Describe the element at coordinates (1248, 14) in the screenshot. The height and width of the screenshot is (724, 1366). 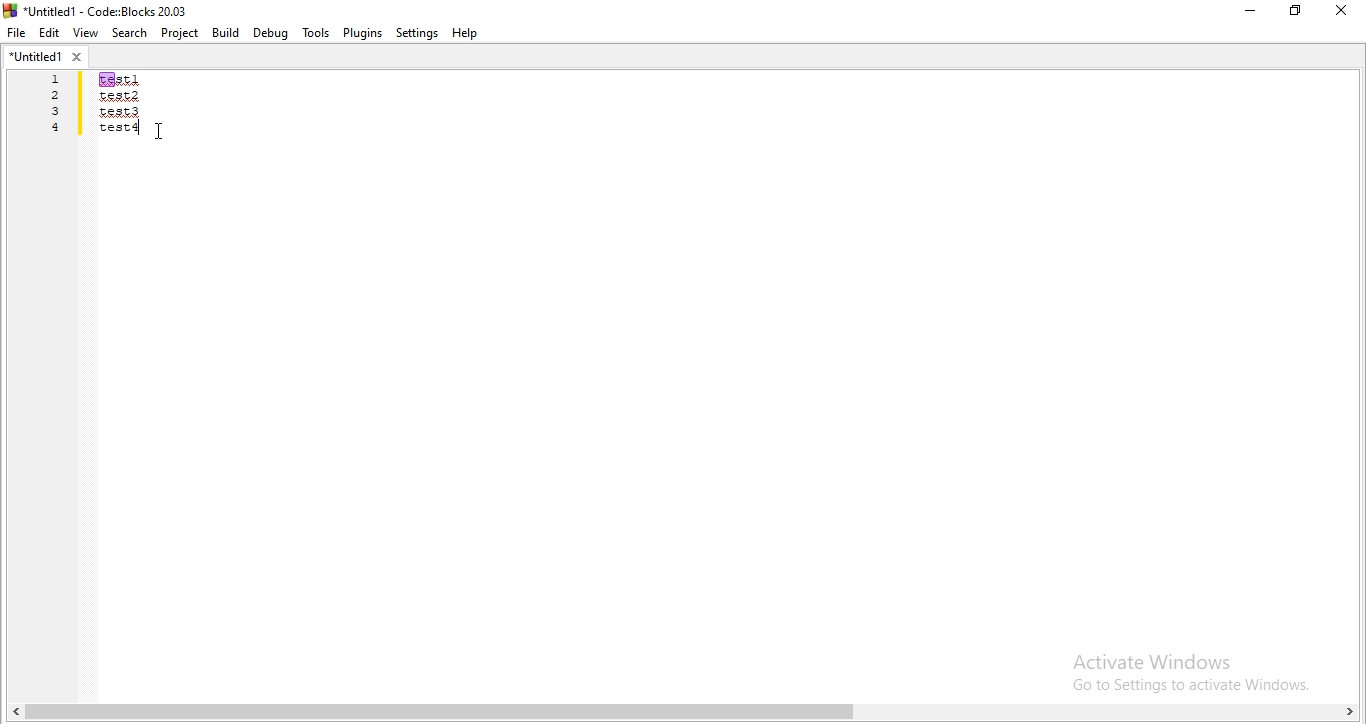
I see `Minimise` at that location.